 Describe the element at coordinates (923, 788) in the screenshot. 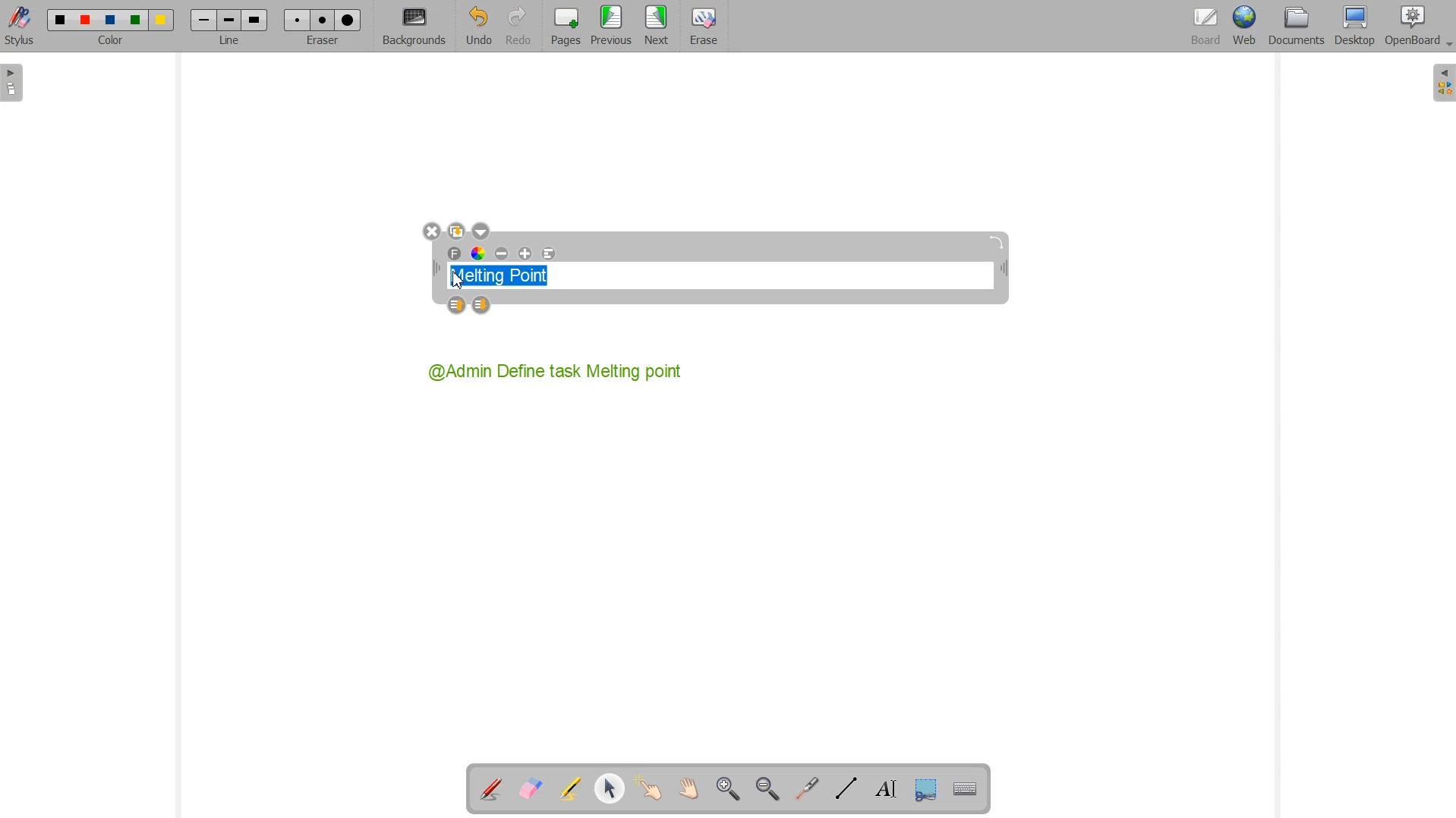

I see `Capture part of the screen` at that location.